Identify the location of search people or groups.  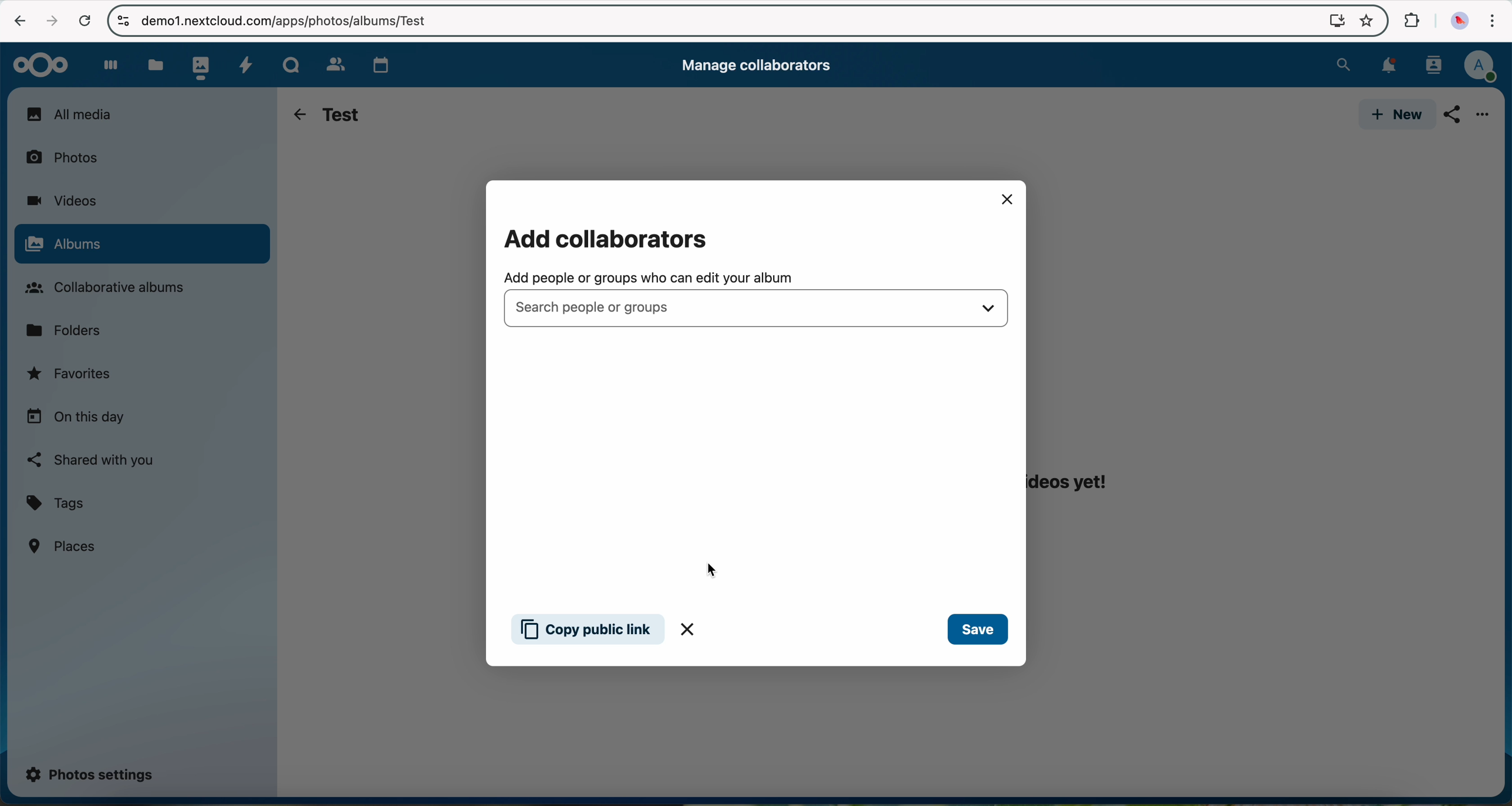
(757, 307).